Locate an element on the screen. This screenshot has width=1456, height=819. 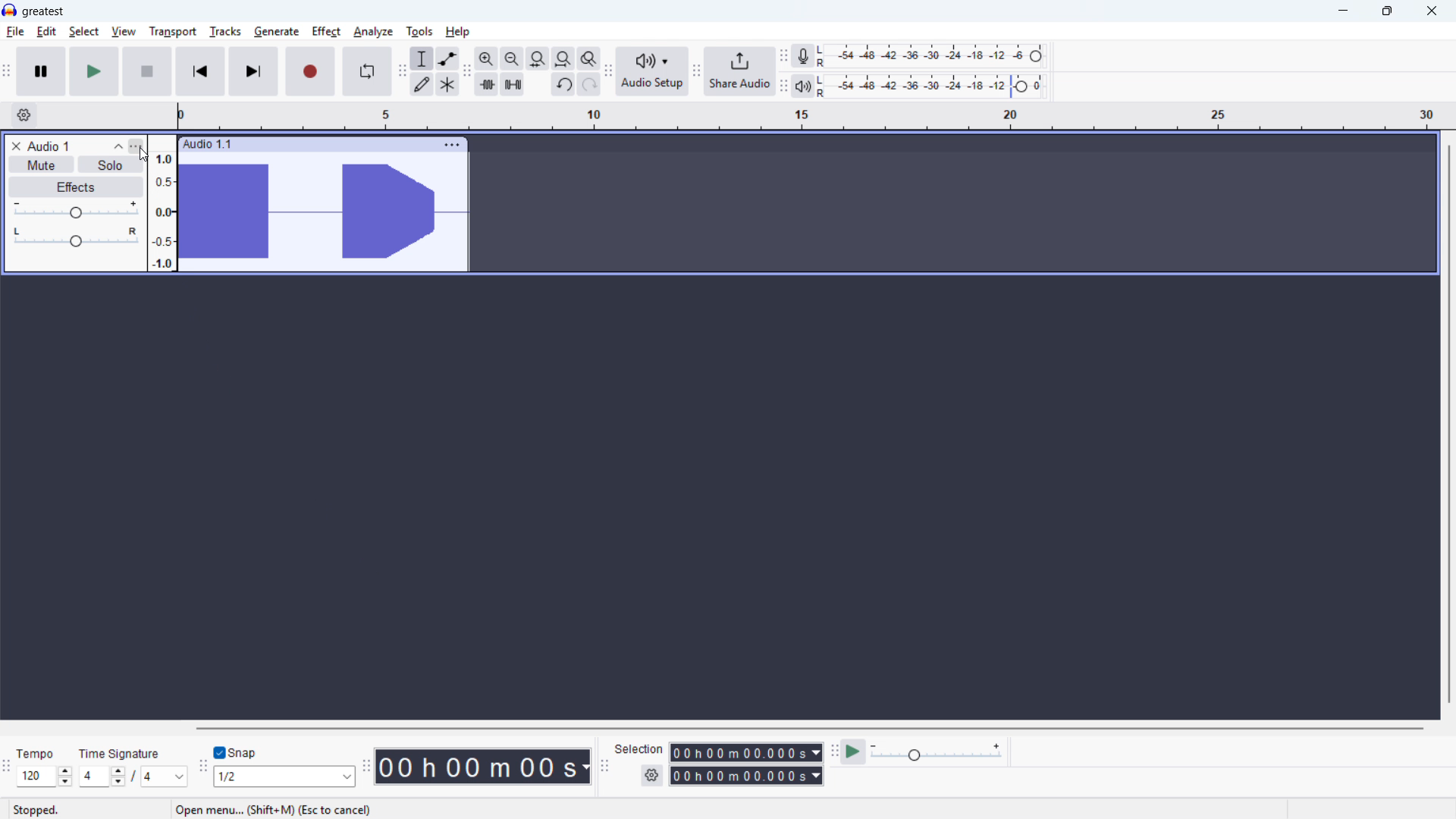
audio setup is located at coordinates (652, 72).